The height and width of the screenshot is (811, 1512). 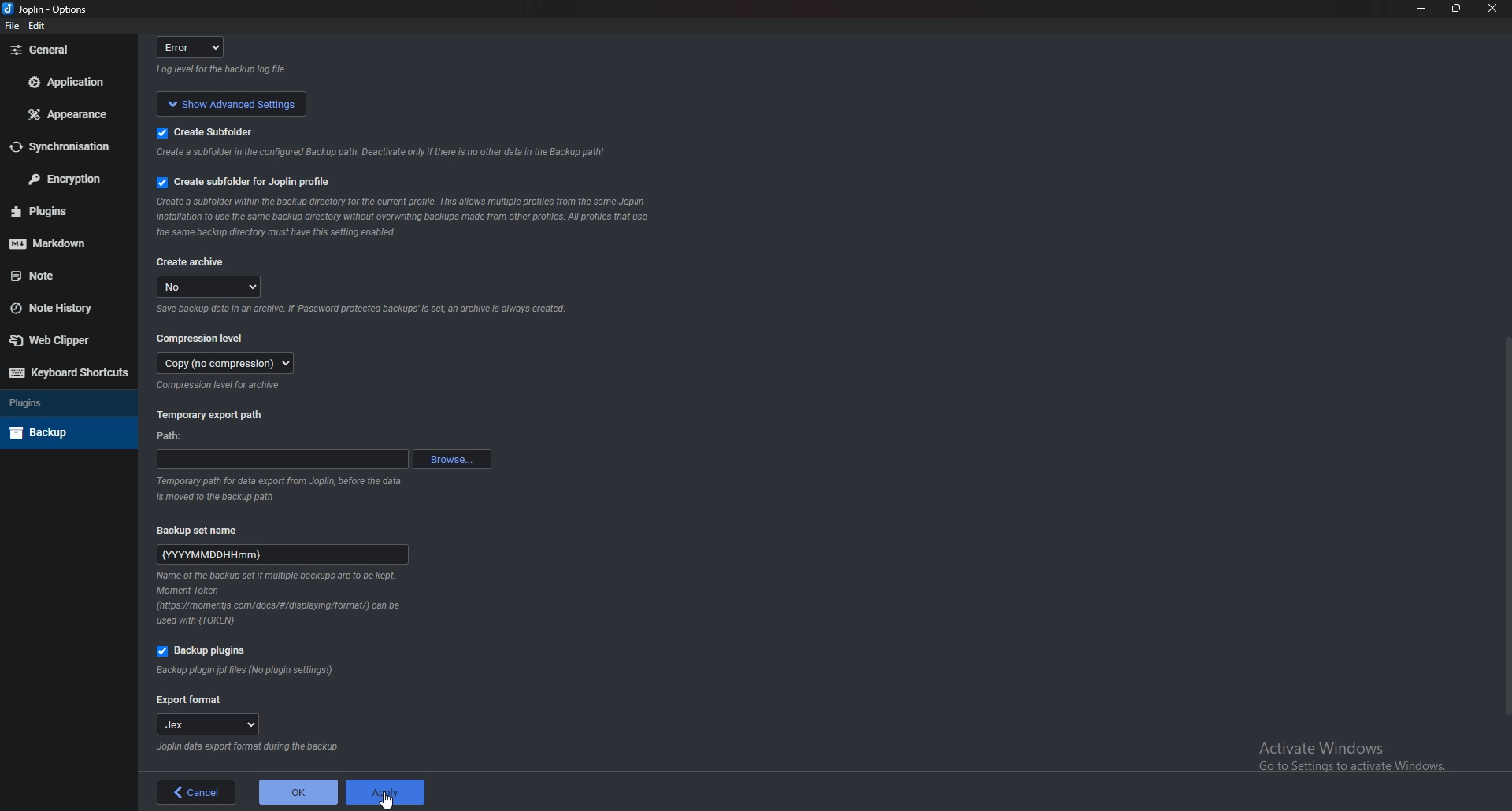 What do you see at coordinates (211, 287) in the screenshot?
I see `no` at bounding box center [211, 287].